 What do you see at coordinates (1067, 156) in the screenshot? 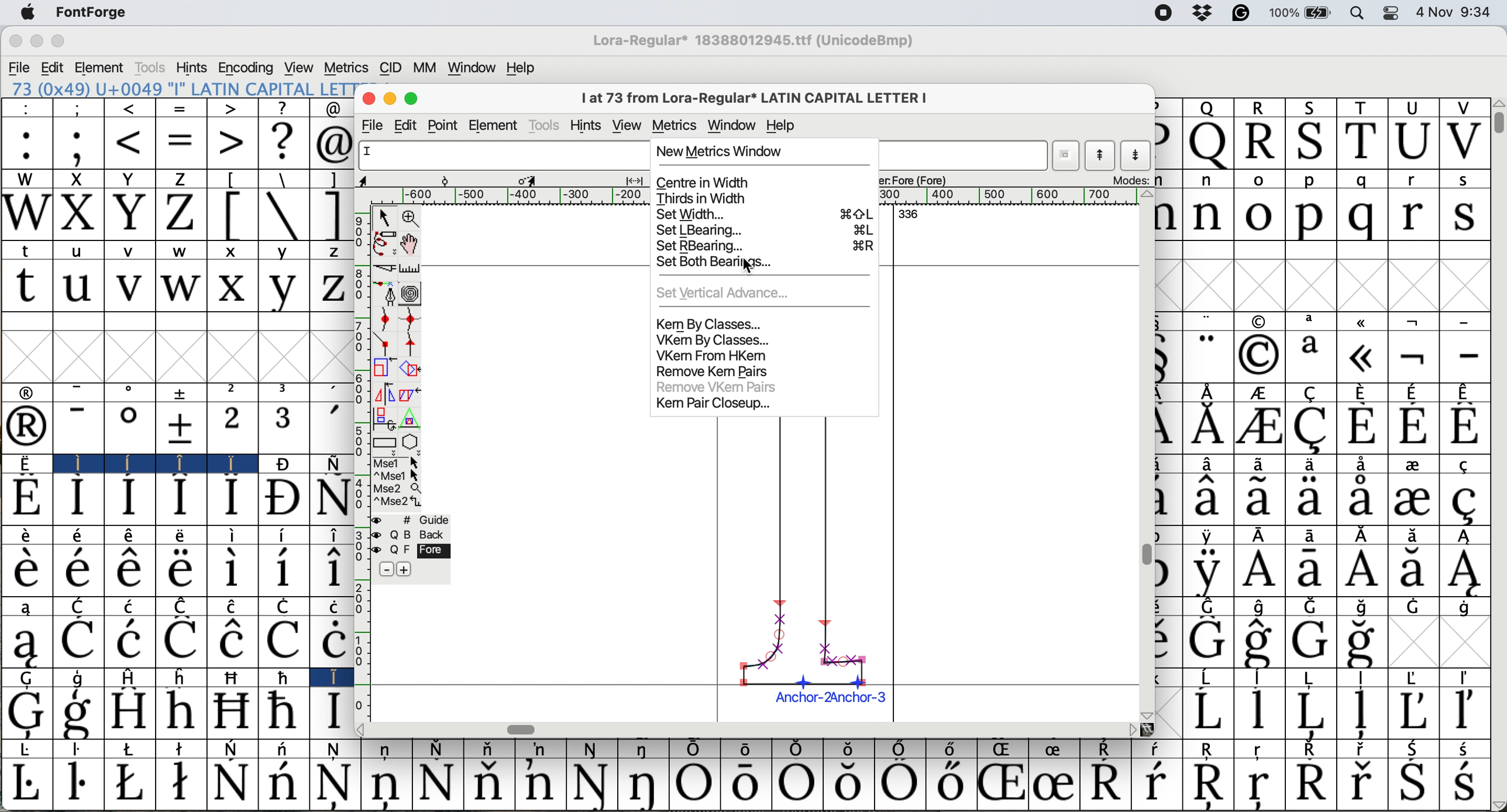
I see `current wordlist` at bounding box center [1067, 156].